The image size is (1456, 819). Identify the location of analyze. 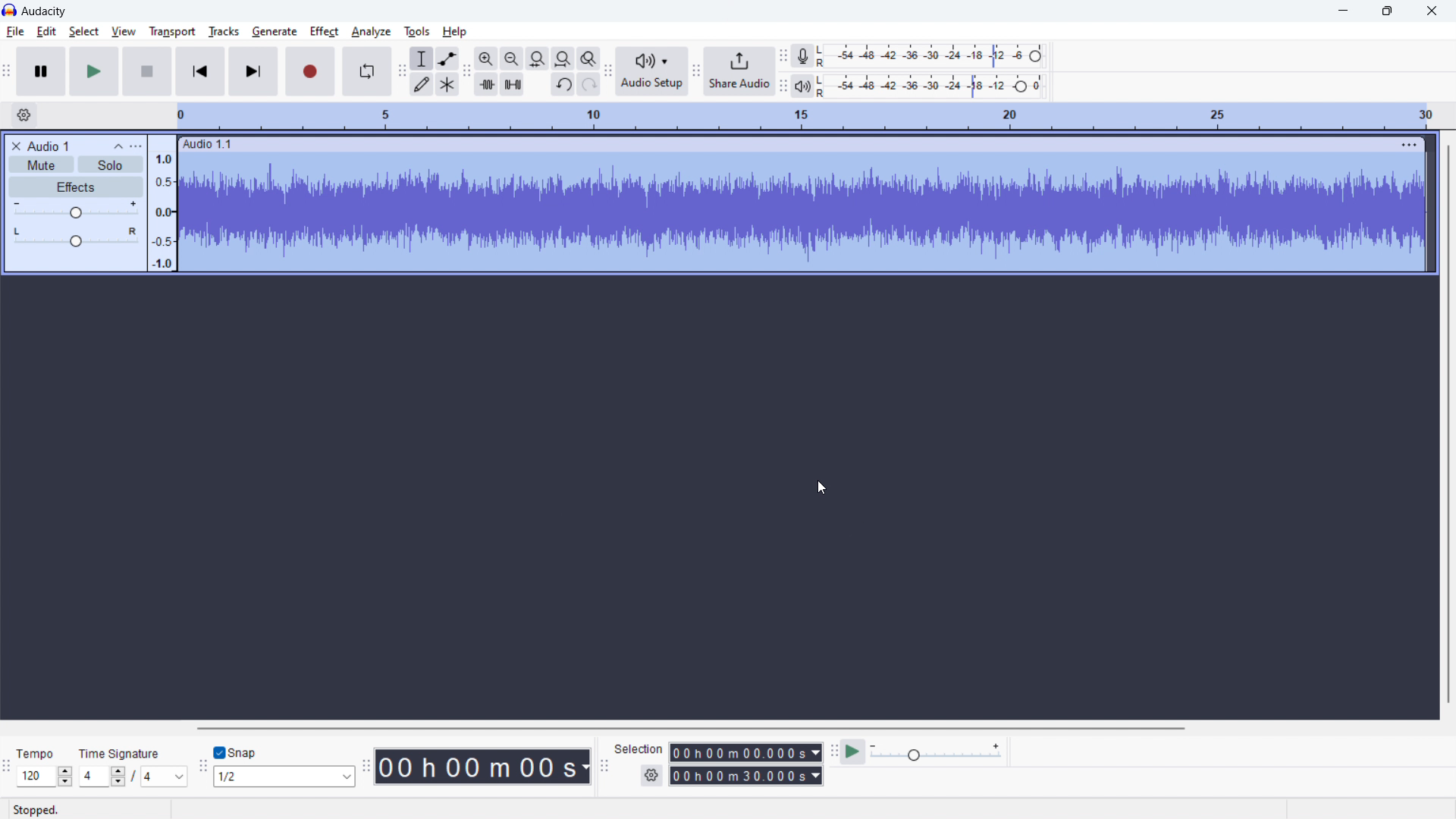
(371, 31).